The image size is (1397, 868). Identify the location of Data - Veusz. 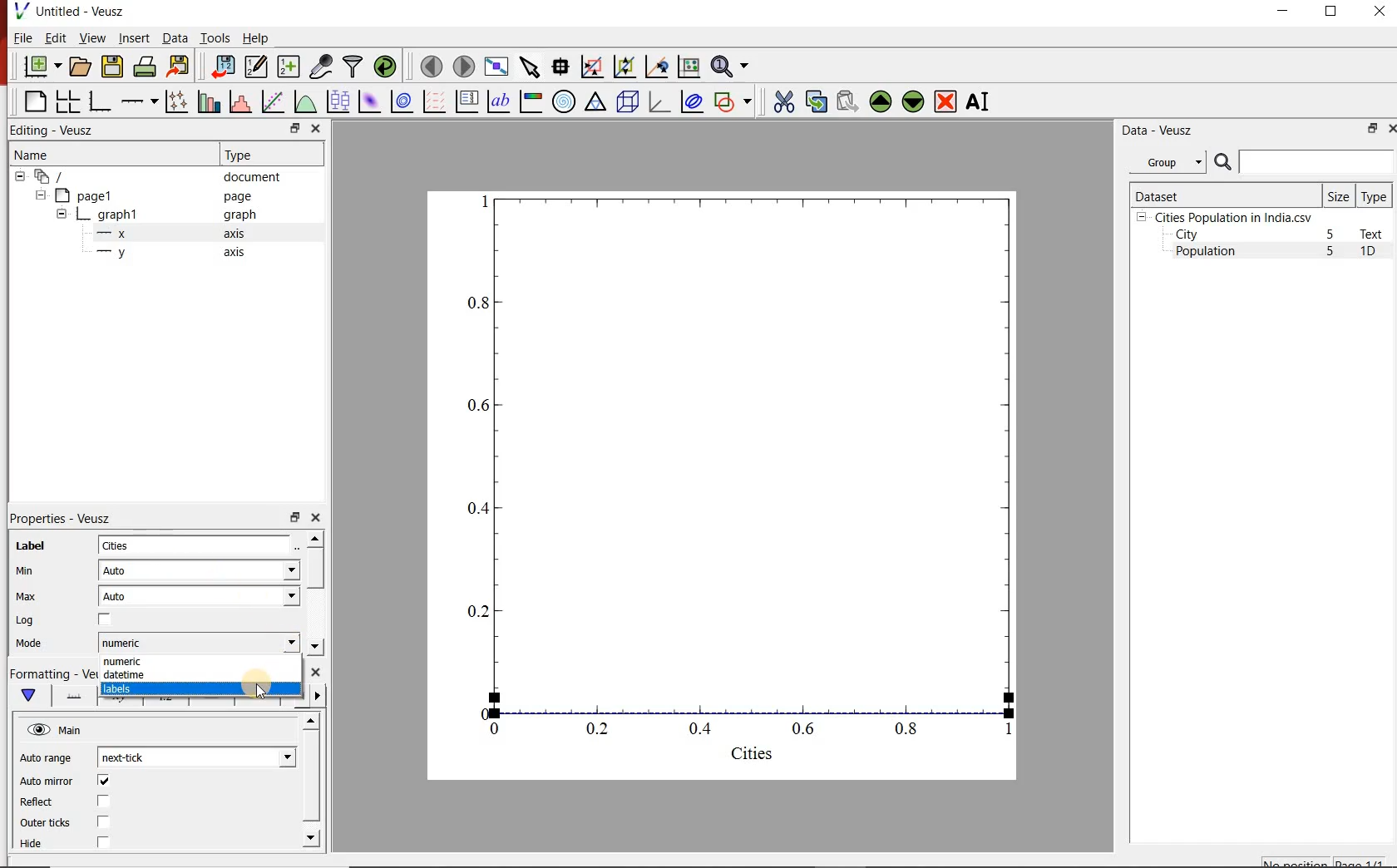
(1154, 130).